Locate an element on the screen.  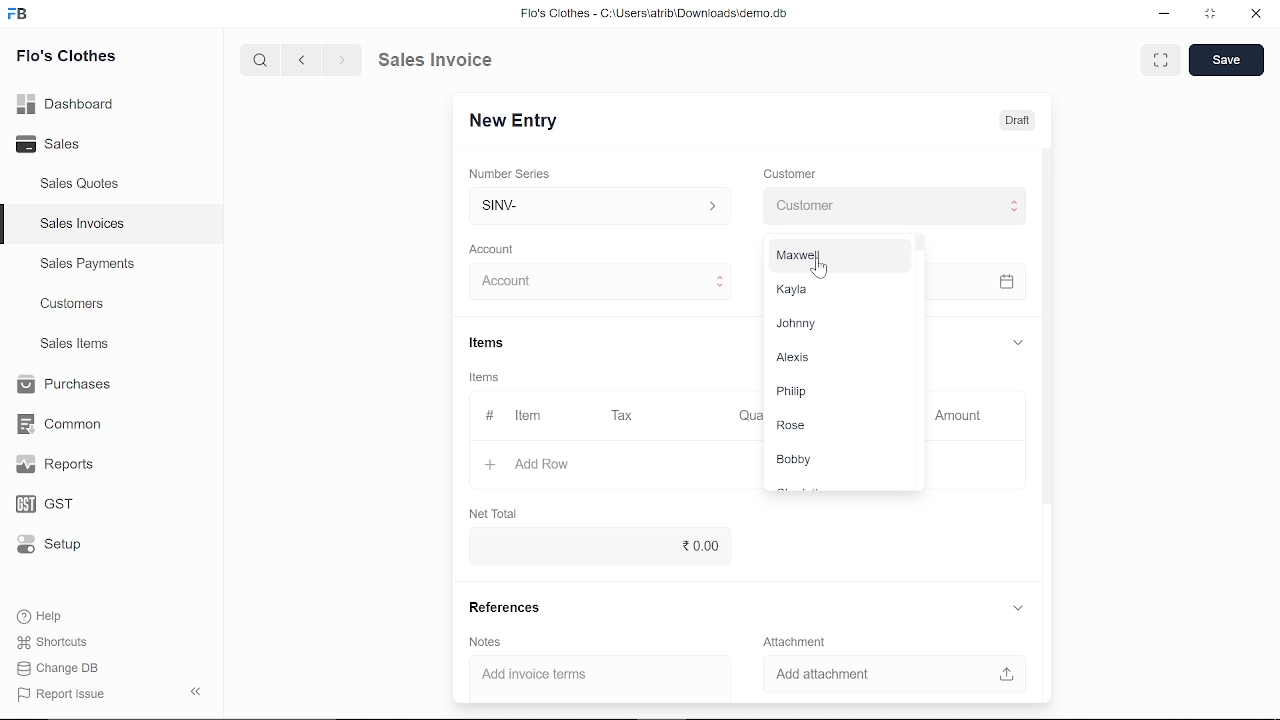
Common is located at coordinates (62, 424).